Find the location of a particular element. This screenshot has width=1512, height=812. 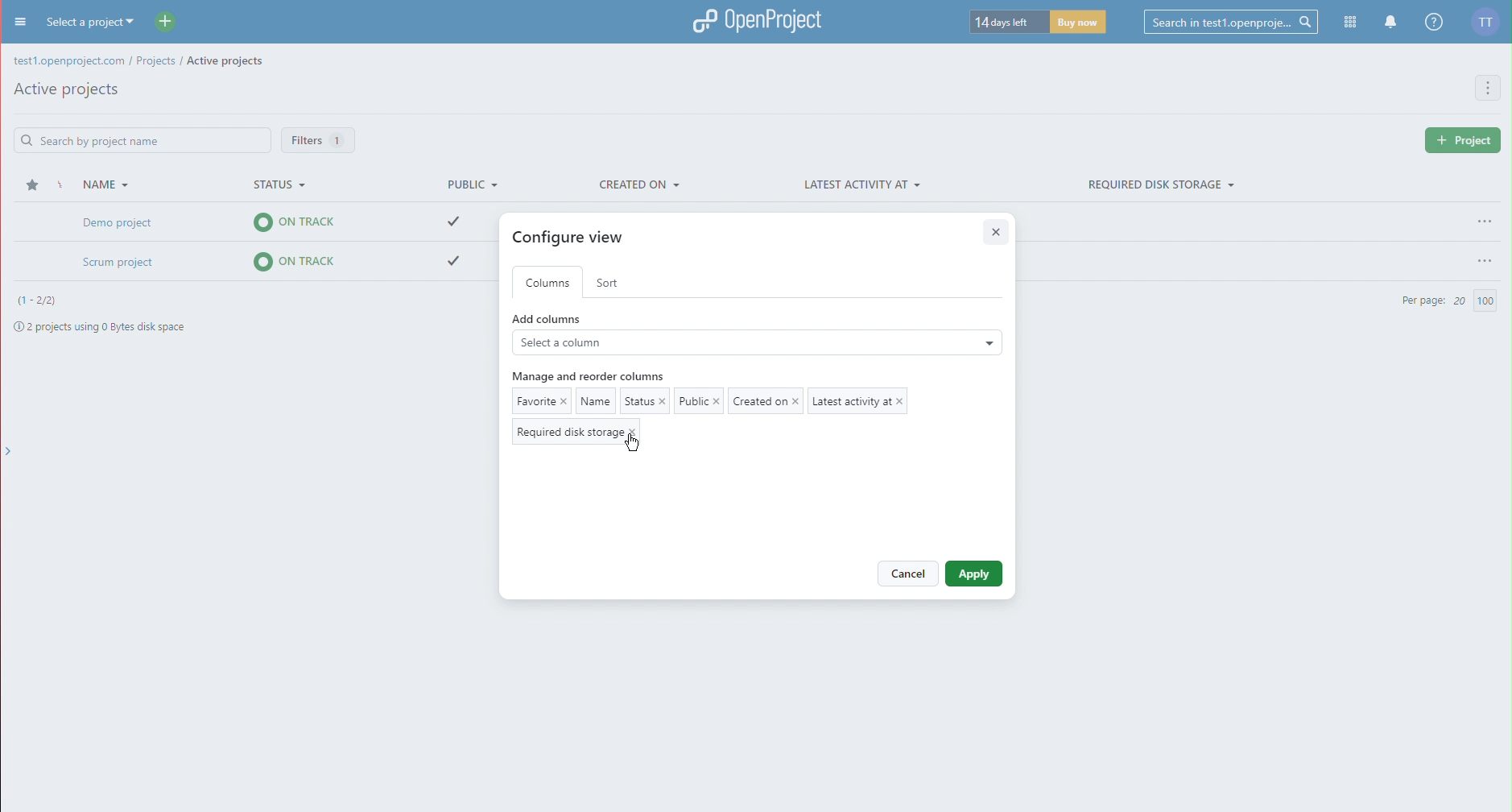

Options is located at coordinates (1484, 256).